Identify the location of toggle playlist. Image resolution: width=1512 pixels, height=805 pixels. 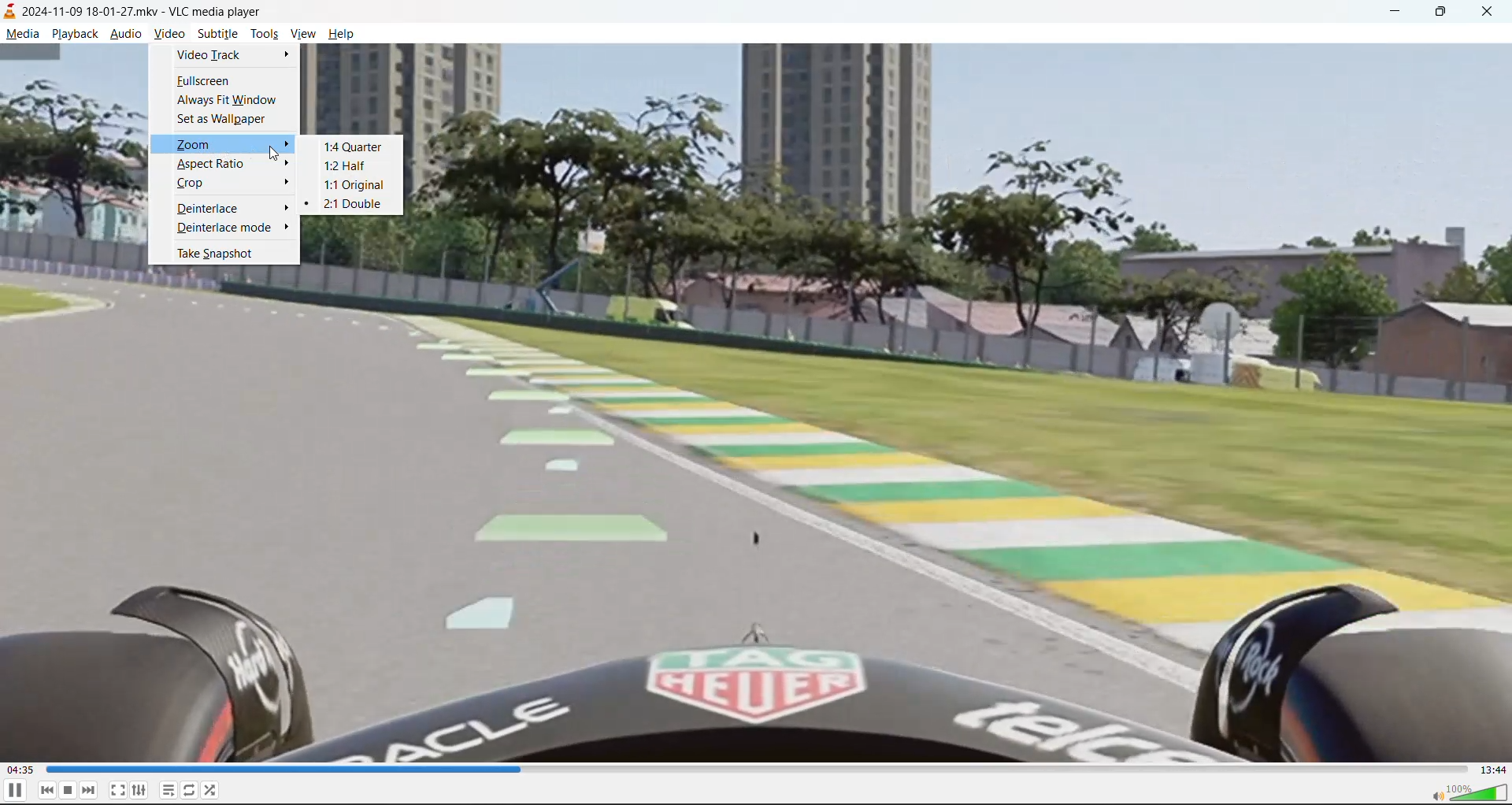
(166, 789).